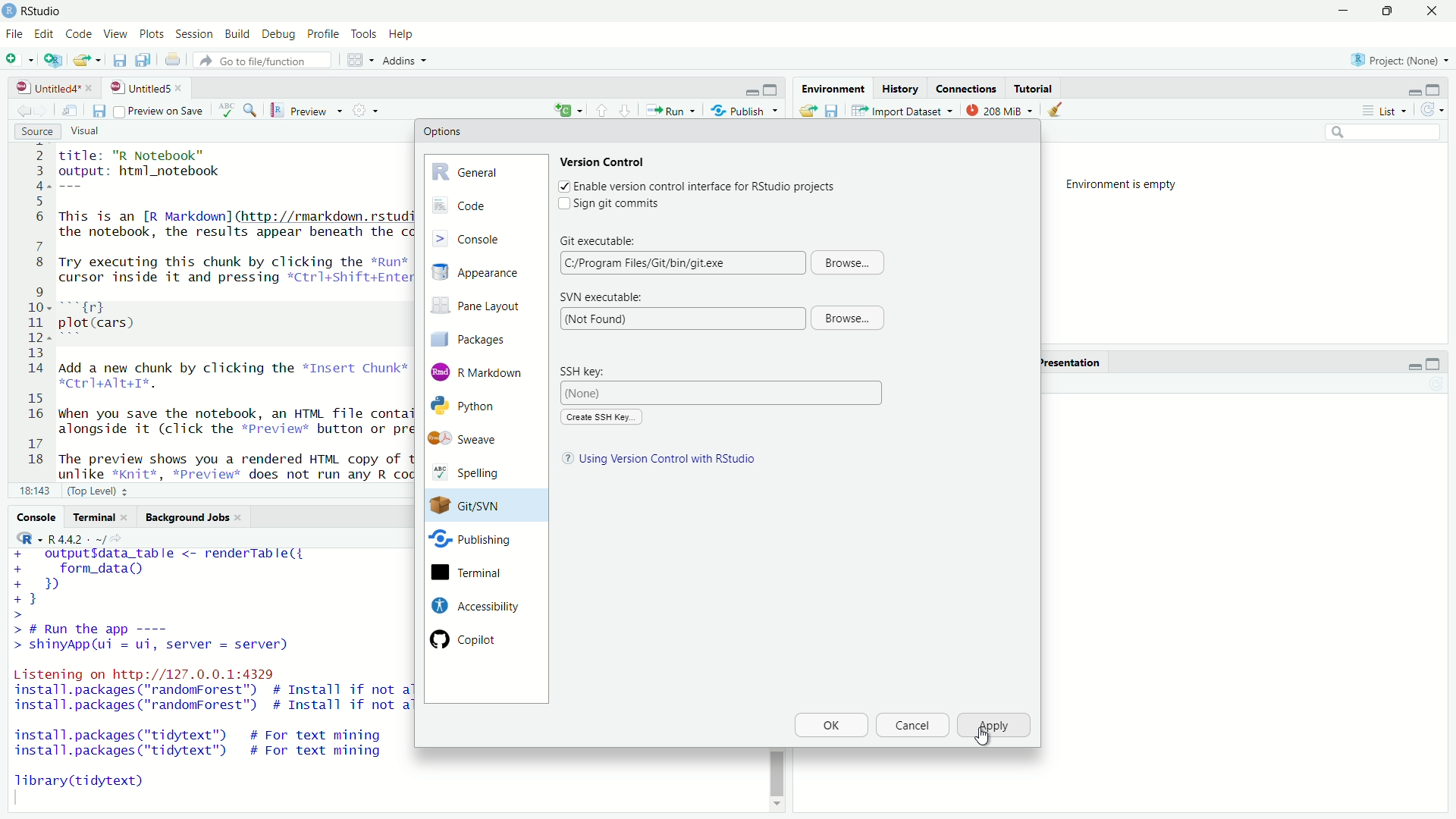 The height and width of the screenshot is (819, 1456). What do you see at coordinates (899, 88) in the screenshot?
I see `History` at bounding box center [899, 88].